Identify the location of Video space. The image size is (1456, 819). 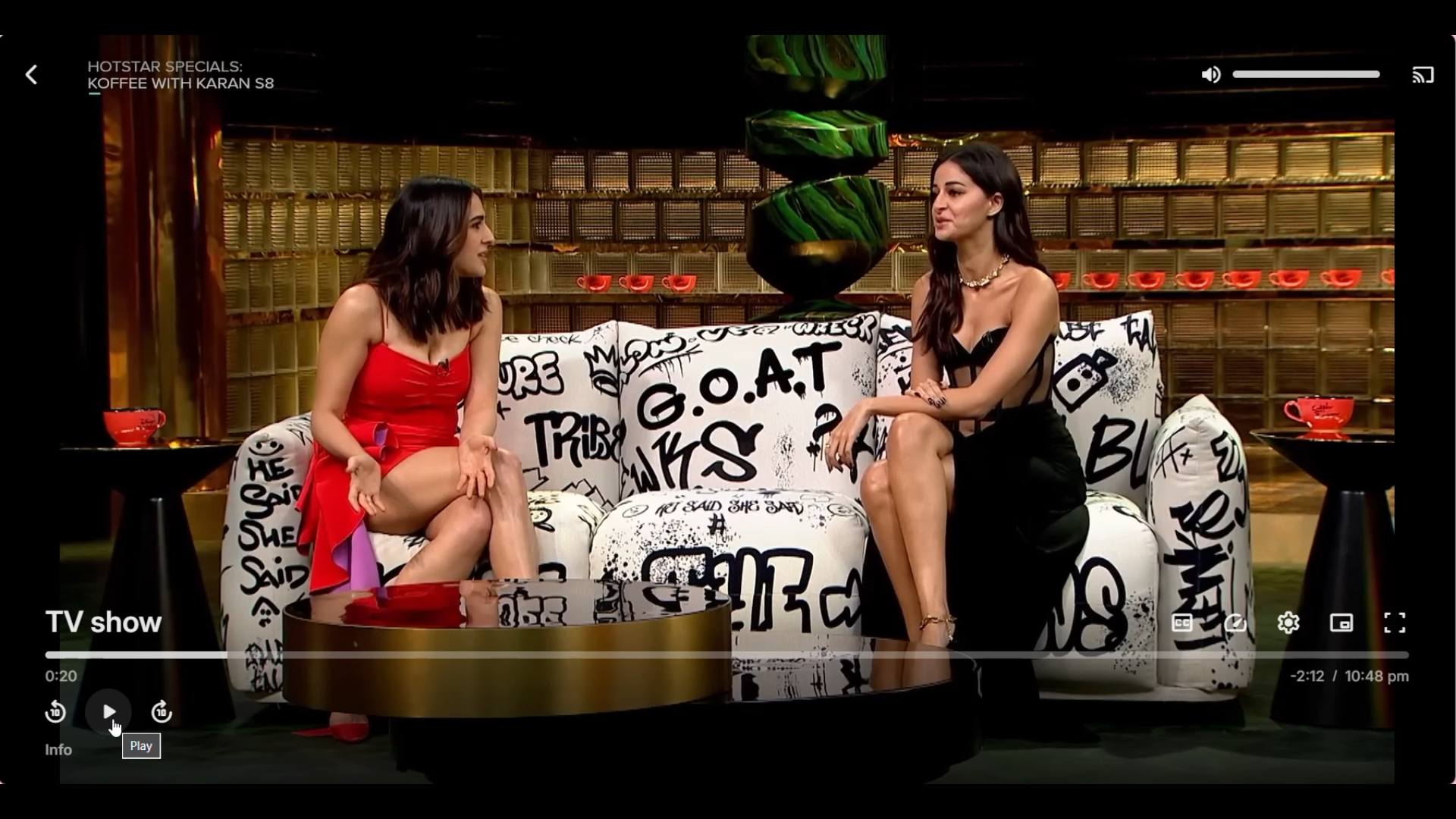
(726, 352).